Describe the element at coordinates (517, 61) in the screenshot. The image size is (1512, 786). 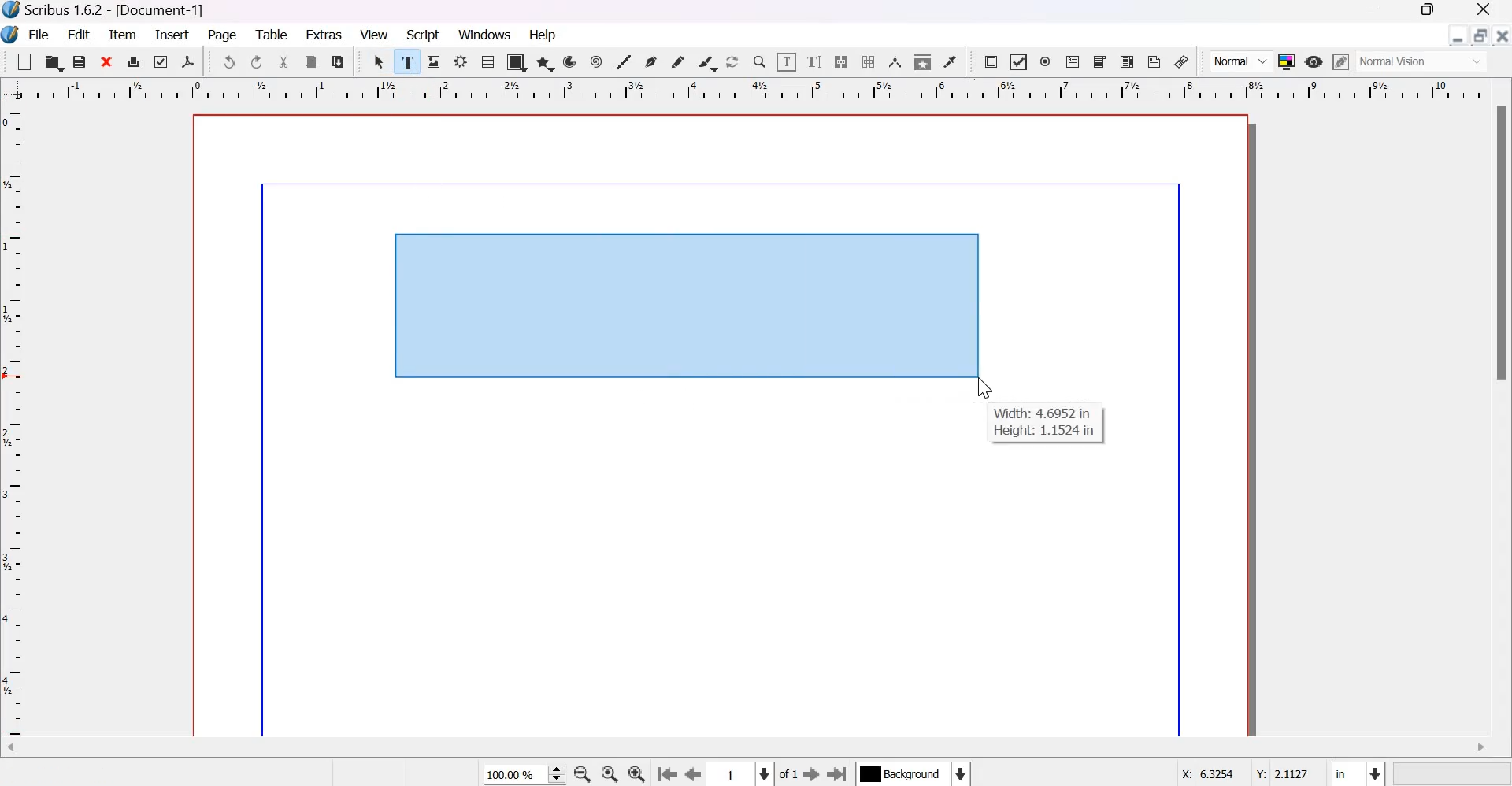
I see `shape` at that location.